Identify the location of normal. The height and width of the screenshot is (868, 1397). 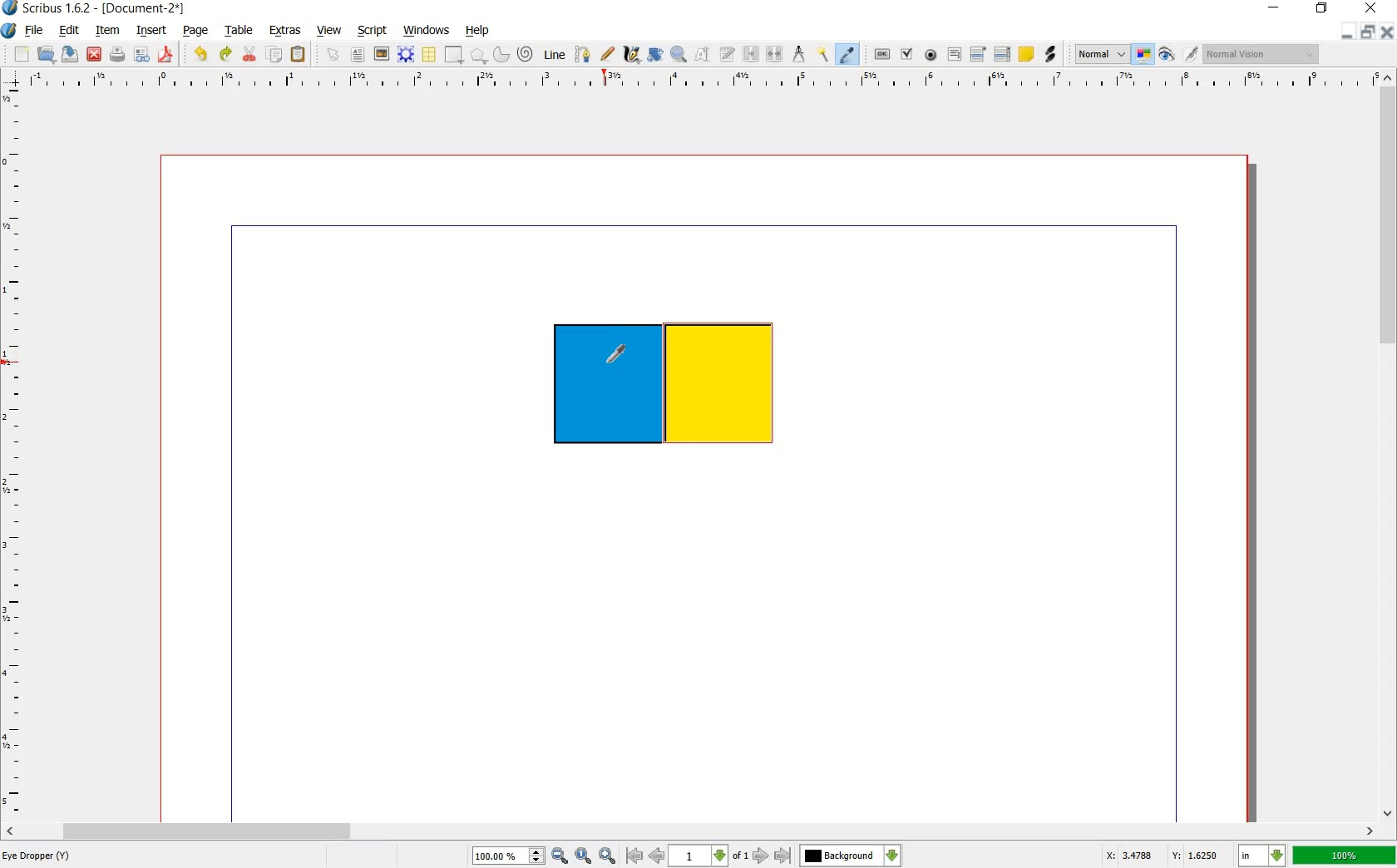
(1102, 54).